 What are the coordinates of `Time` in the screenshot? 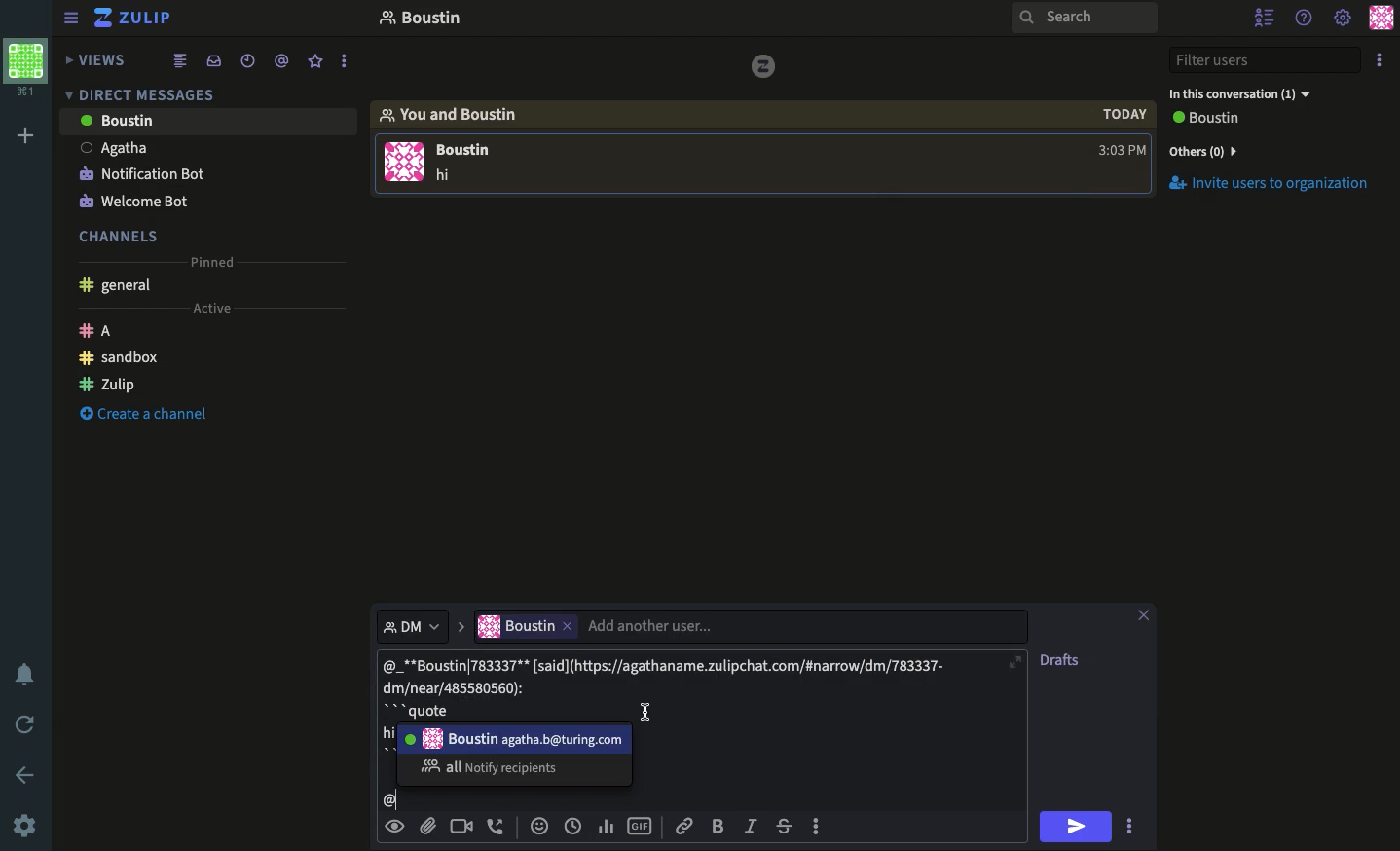 It's located at (246, 59).